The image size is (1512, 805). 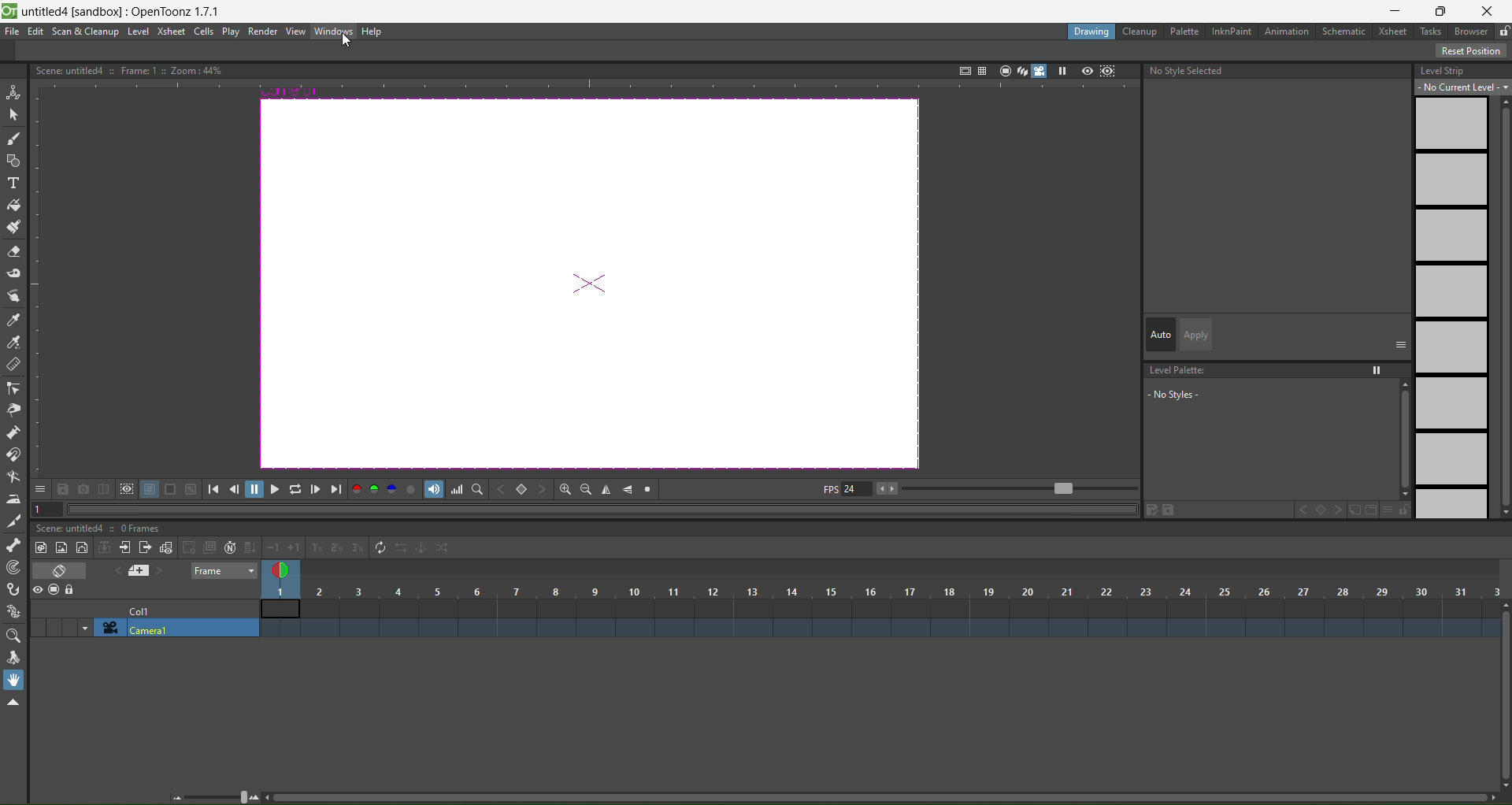 I want to click on scroll bar, so click(x=876, y=799).